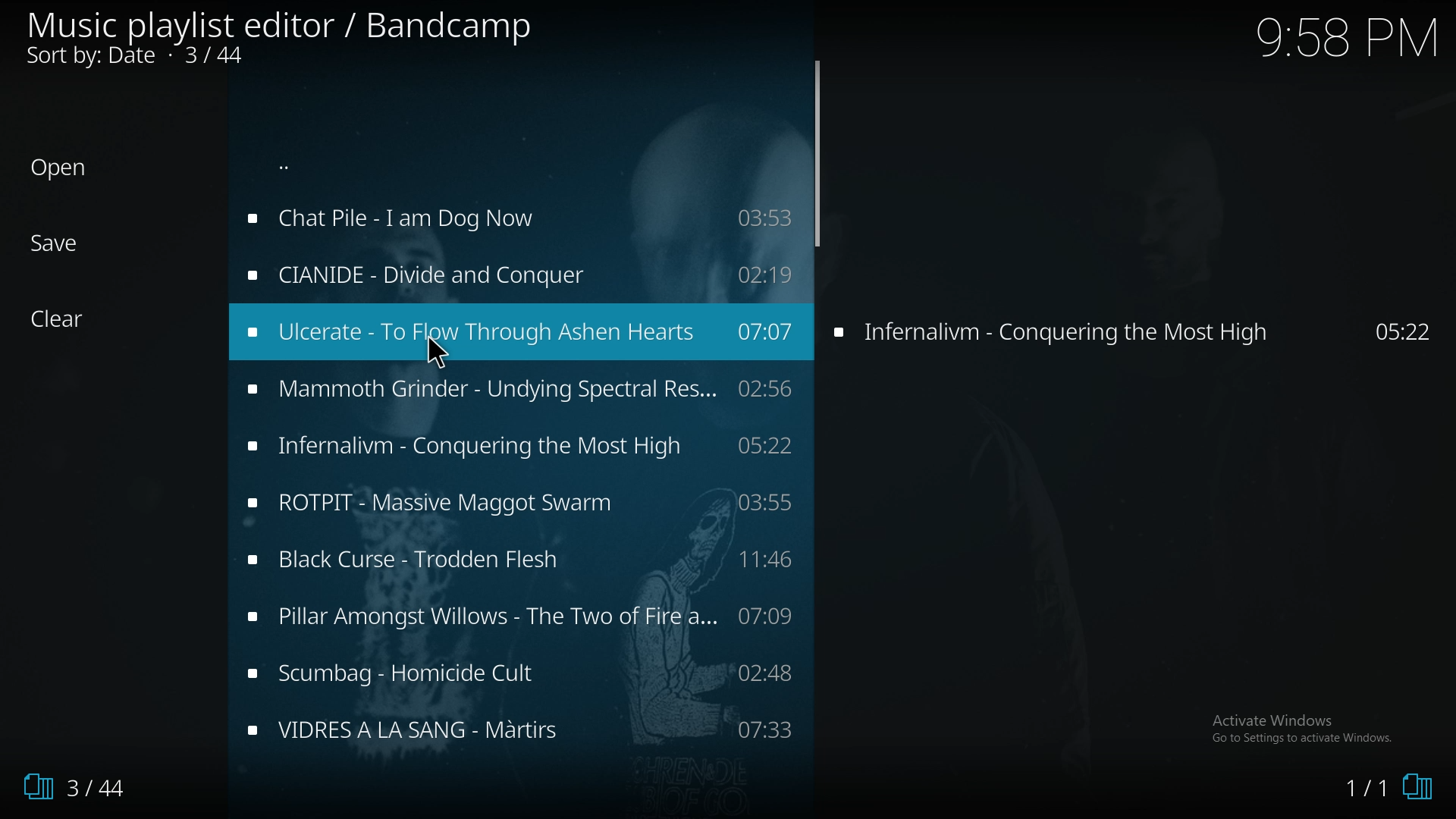 The width and height of the screenshot is (1456, 819). What do you see at coordinates (57, 243) in the screenshot?
I see `Save` at bounding box center [57, 243].